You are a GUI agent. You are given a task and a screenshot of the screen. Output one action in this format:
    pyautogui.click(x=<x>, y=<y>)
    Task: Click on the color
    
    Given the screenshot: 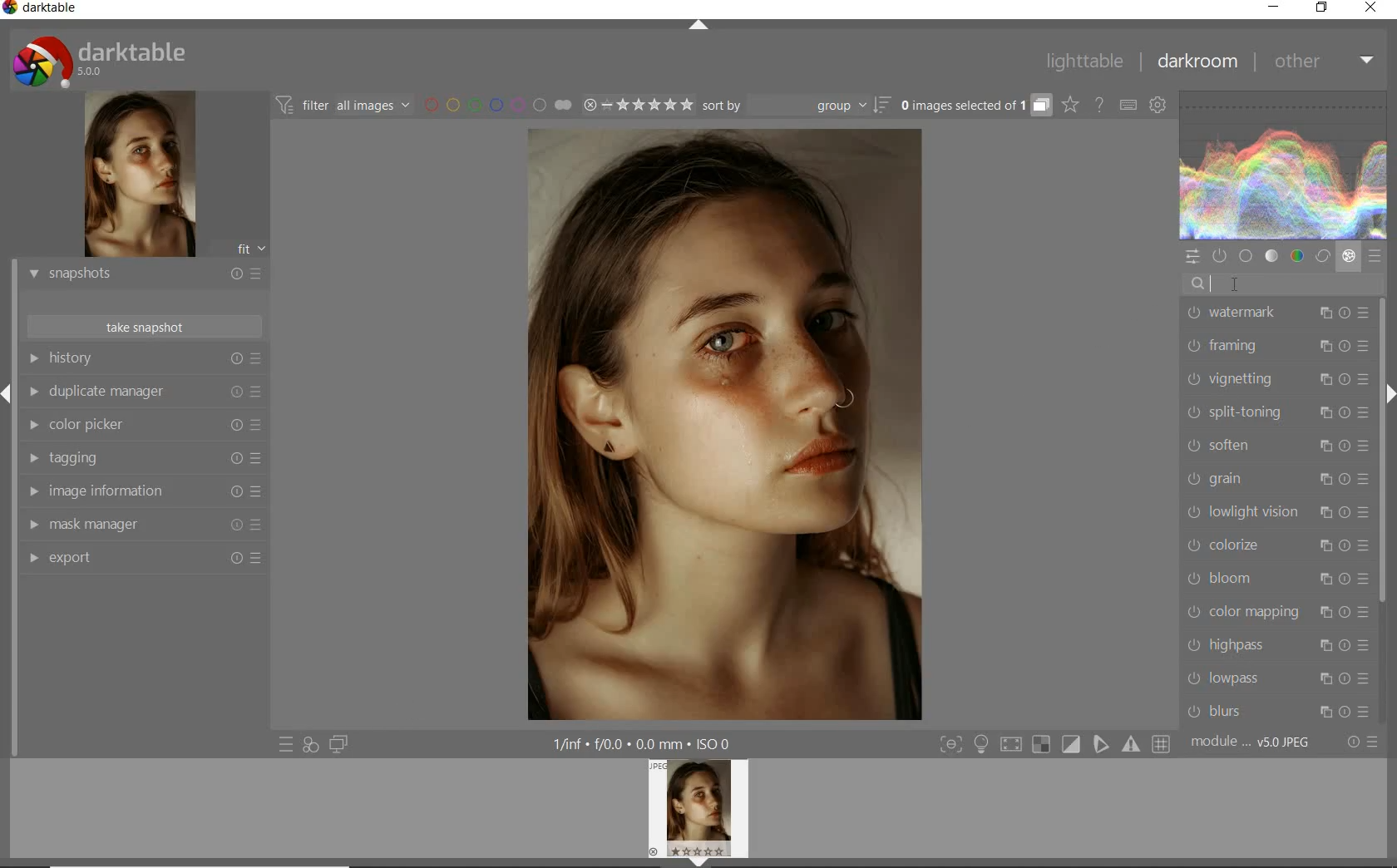 What is the action you would take?
    pyautogui.click(x=1298, y=258)
    